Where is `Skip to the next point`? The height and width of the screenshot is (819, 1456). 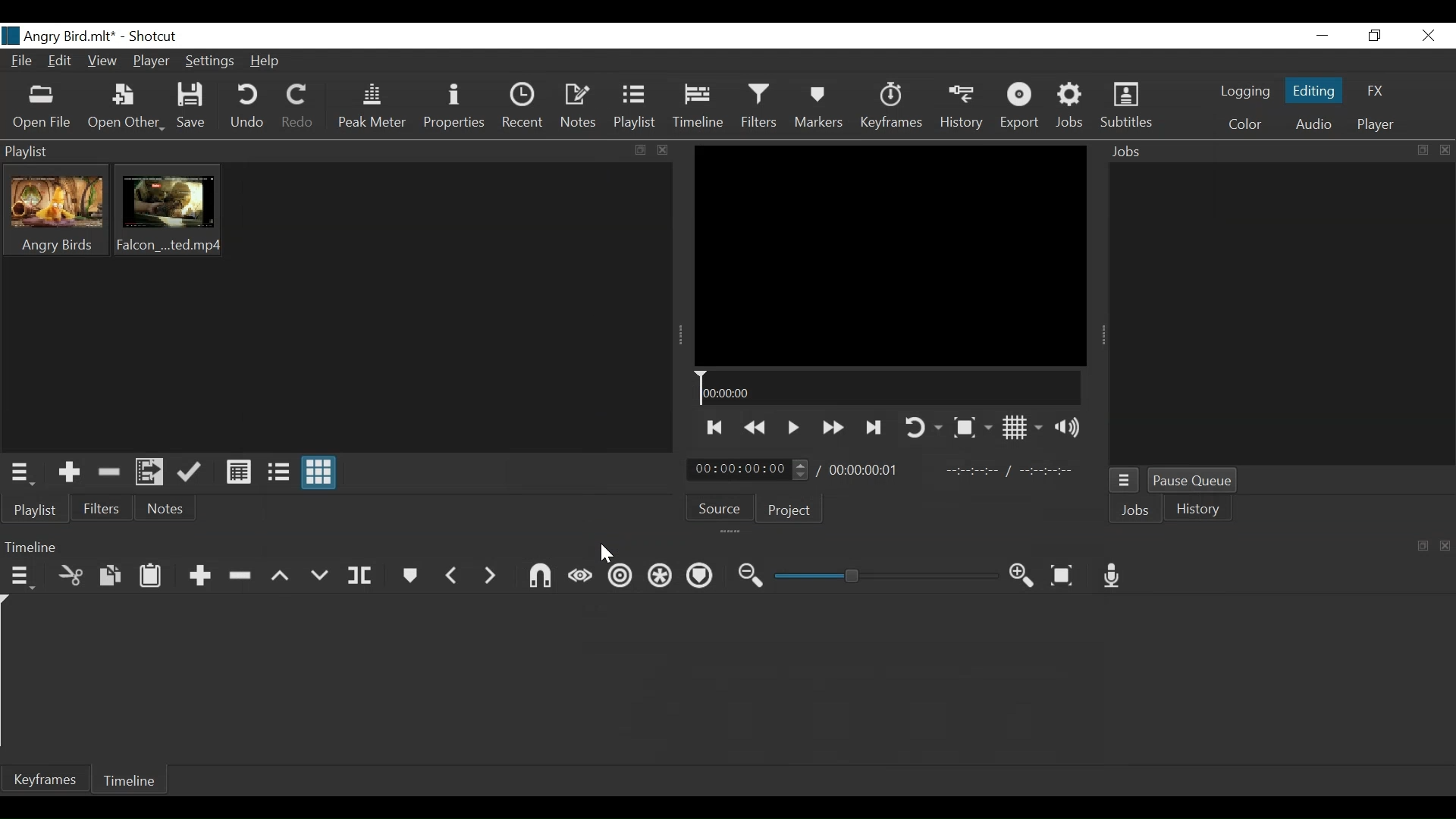 Skip to the next point is located at coordinates (874, 426).